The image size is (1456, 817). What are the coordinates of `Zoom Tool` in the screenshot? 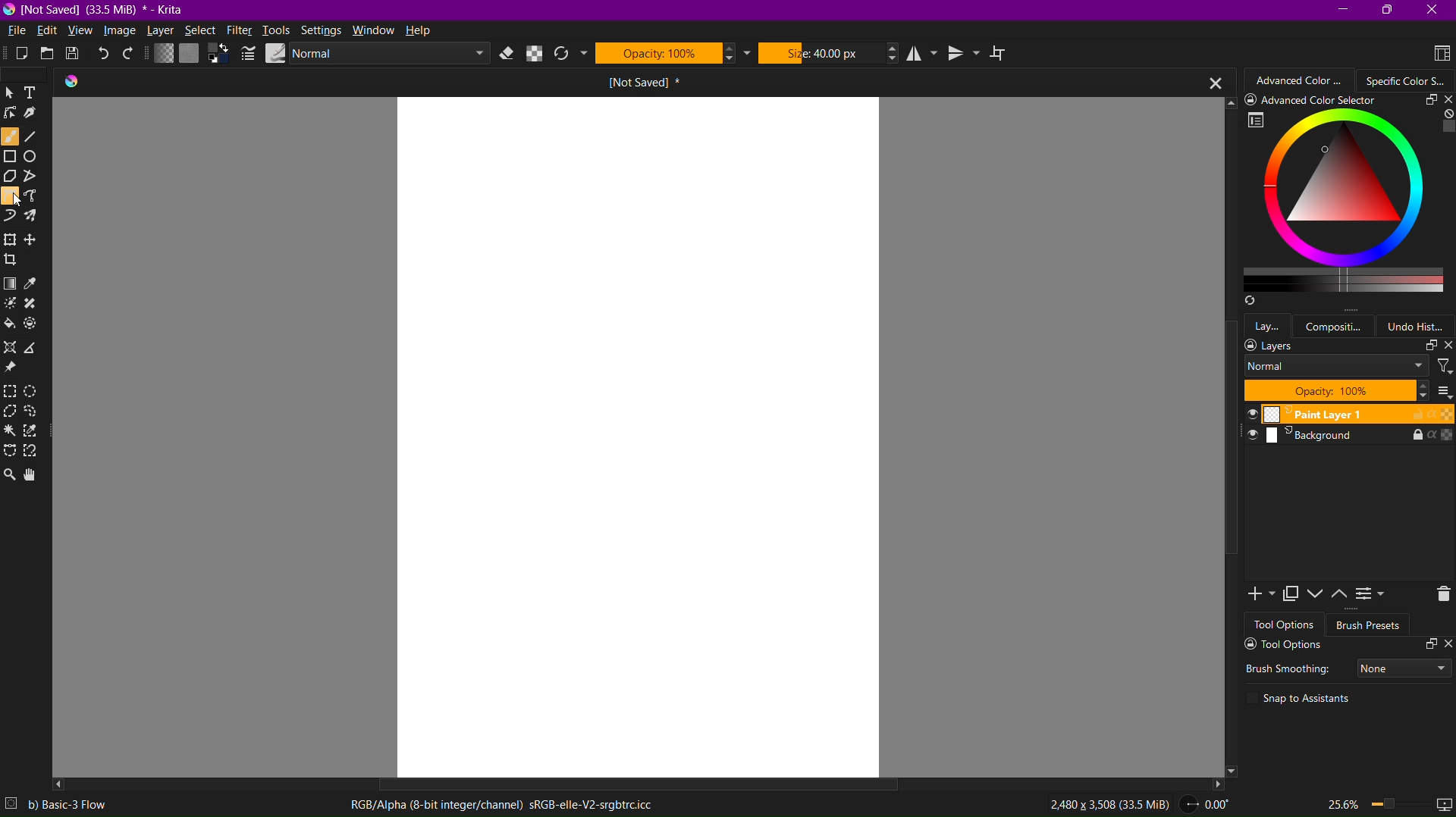 It's located at (10, 473).